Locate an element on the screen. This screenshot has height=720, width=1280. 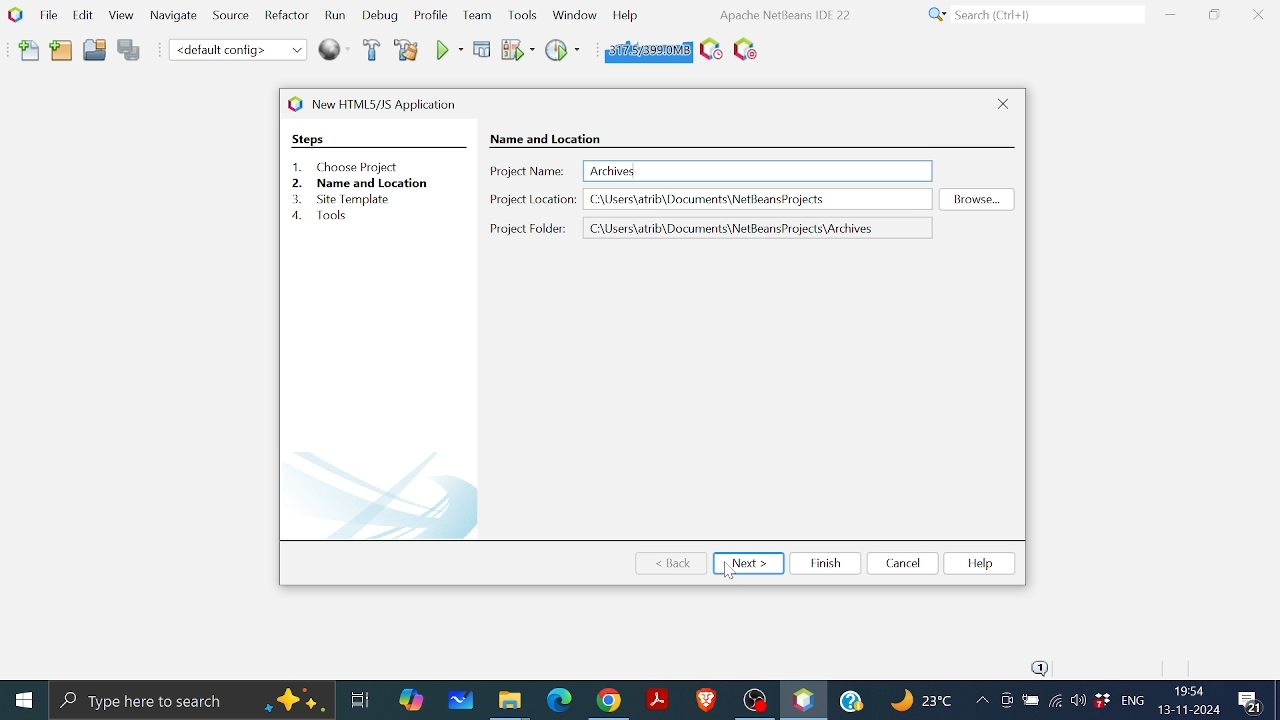
Help is located at coordinates (979, 563).